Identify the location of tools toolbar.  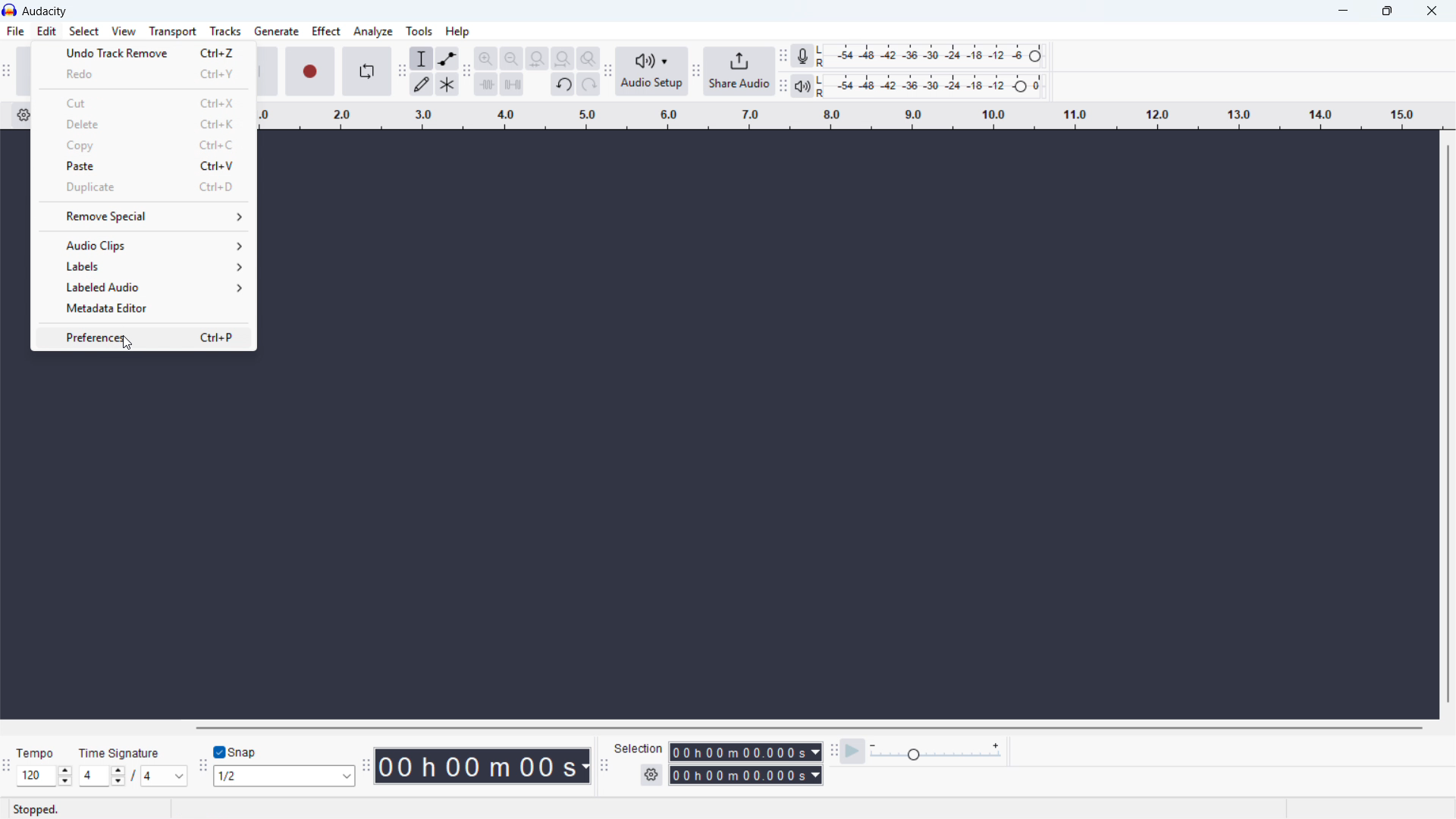
(401, 71).